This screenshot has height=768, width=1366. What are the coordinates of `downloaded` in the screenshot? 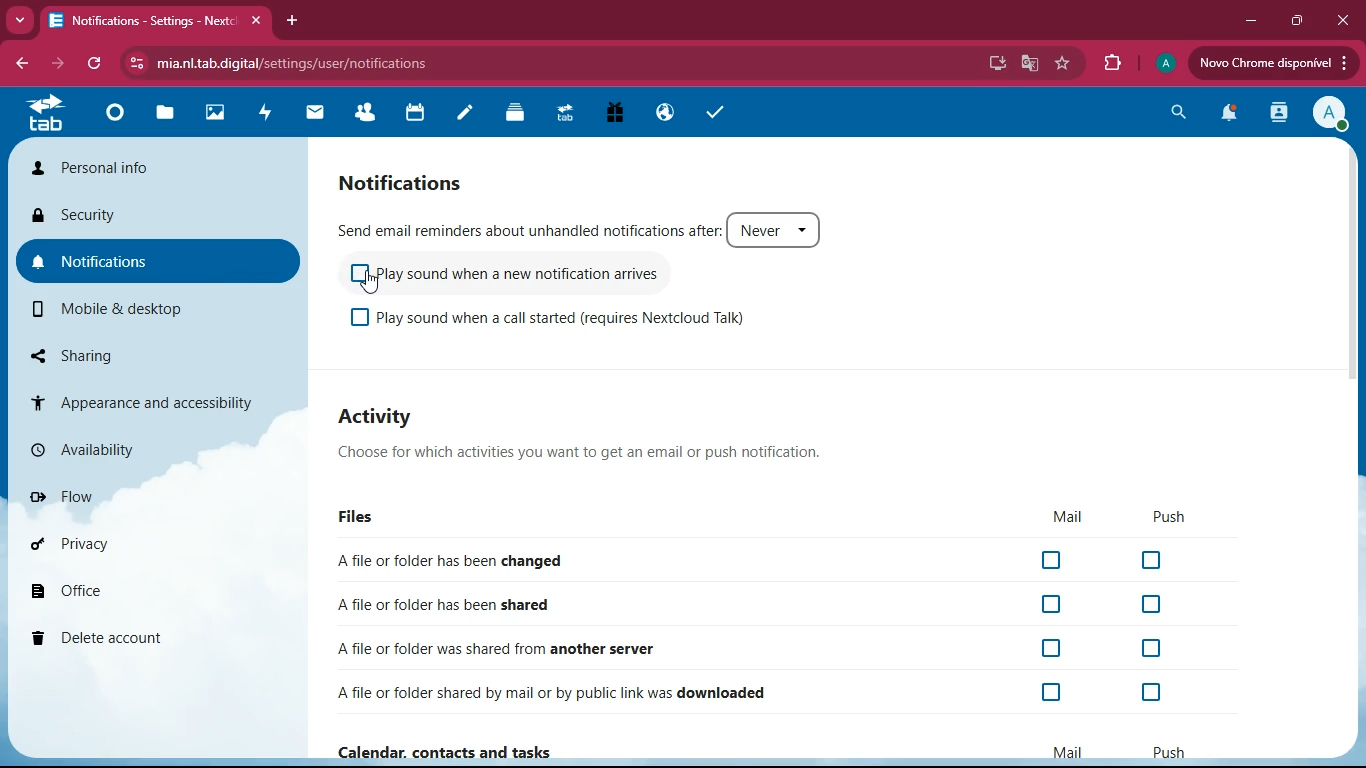 It's located at (559, 691).